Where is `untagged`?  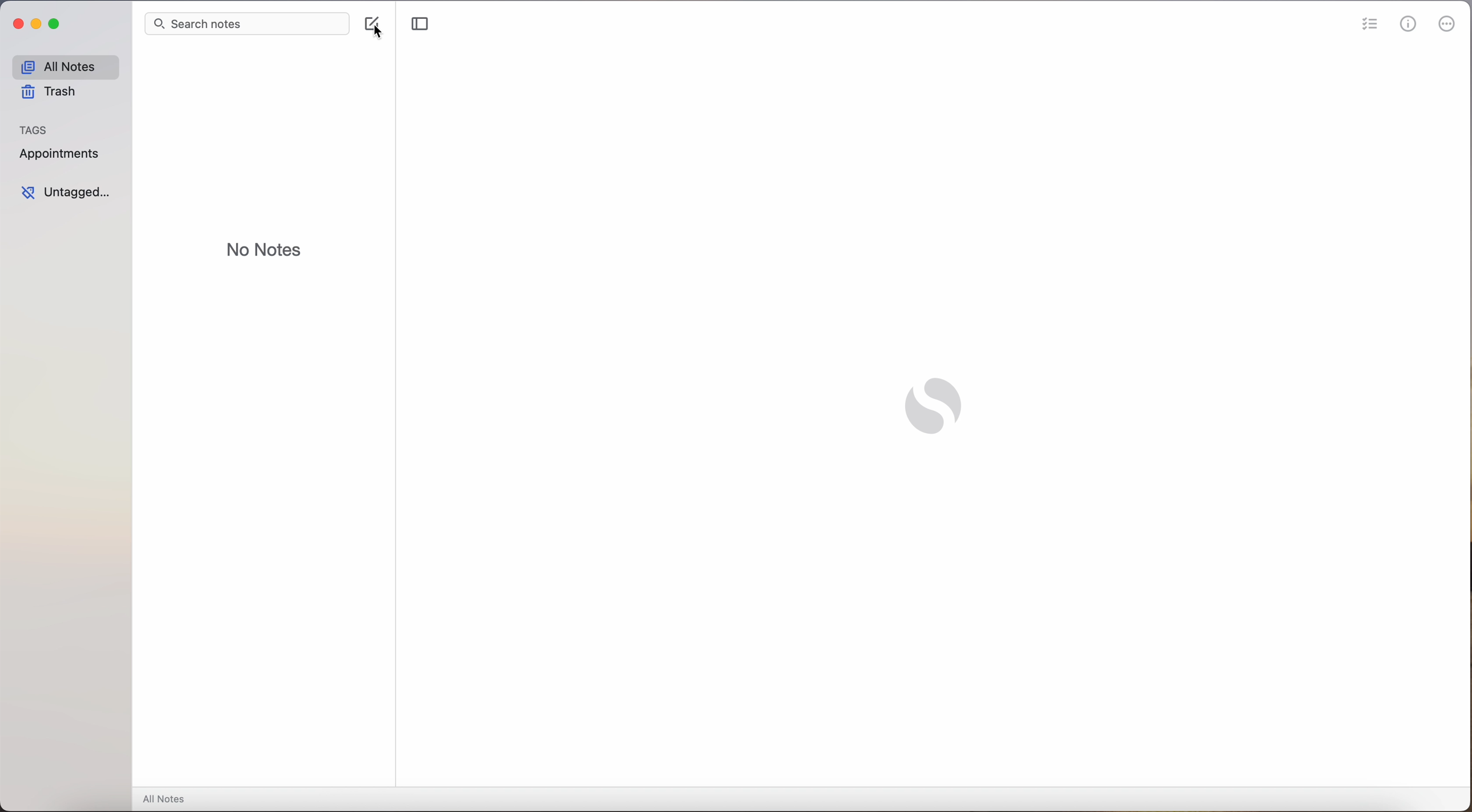 untagged is located at coordinates (69, 195).